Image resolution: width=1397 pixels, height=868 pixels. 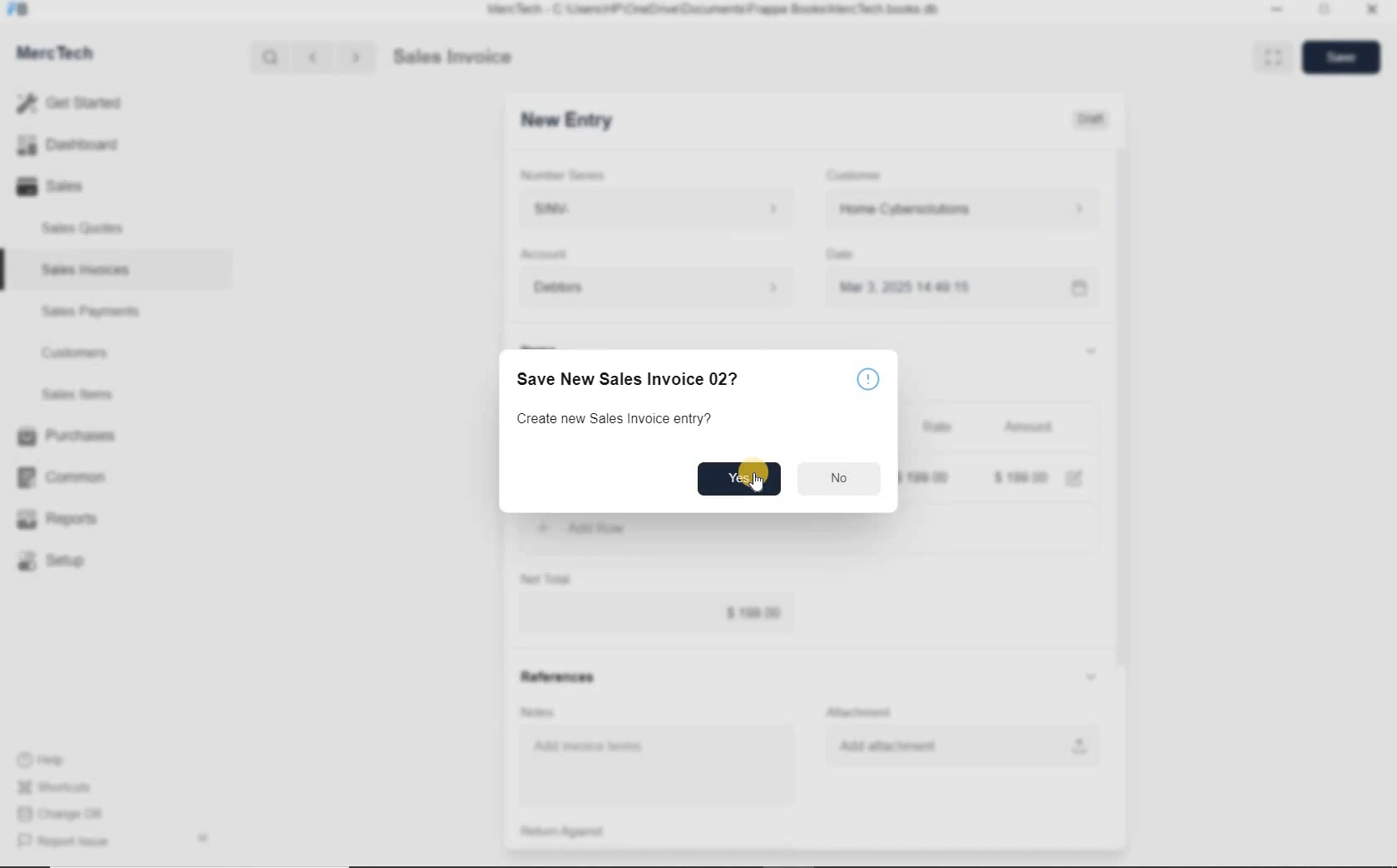 What do you see at coordinates (548, 254) in the screenshot?
I see `Account` at bounding box center [548, 254].